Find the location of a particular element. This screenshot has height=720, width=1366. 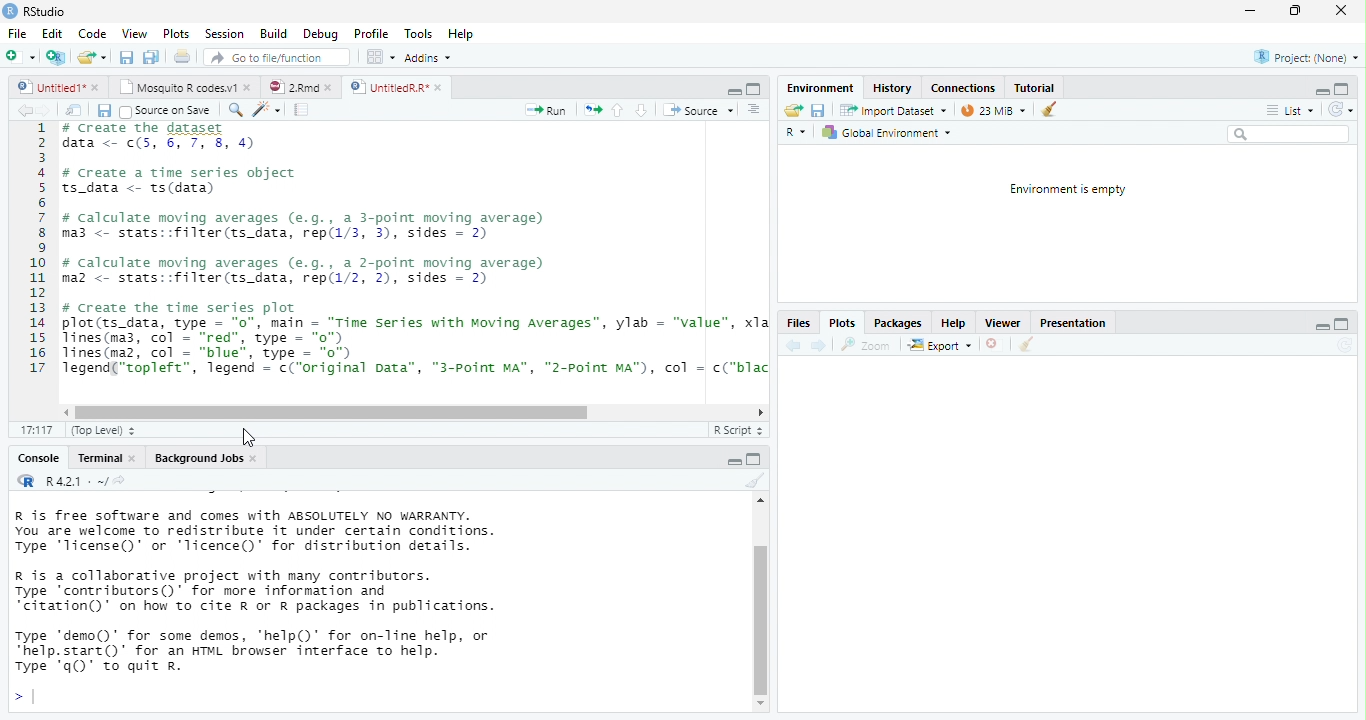

Plots is located at coordinates (177, 34).